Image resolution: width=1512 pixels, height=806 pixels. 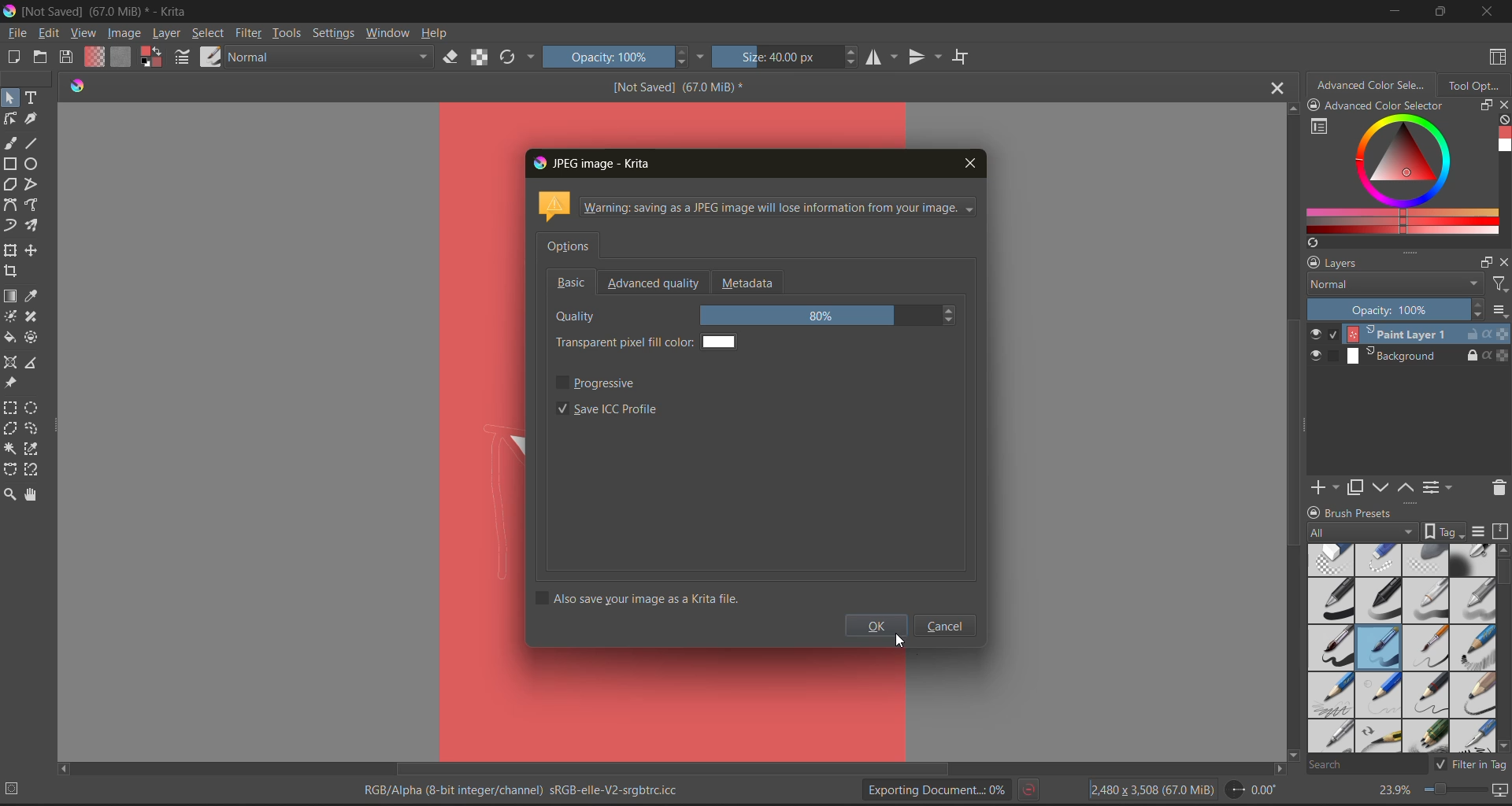 I want to click on vertical mirror tool, so click(x=926, y=57).